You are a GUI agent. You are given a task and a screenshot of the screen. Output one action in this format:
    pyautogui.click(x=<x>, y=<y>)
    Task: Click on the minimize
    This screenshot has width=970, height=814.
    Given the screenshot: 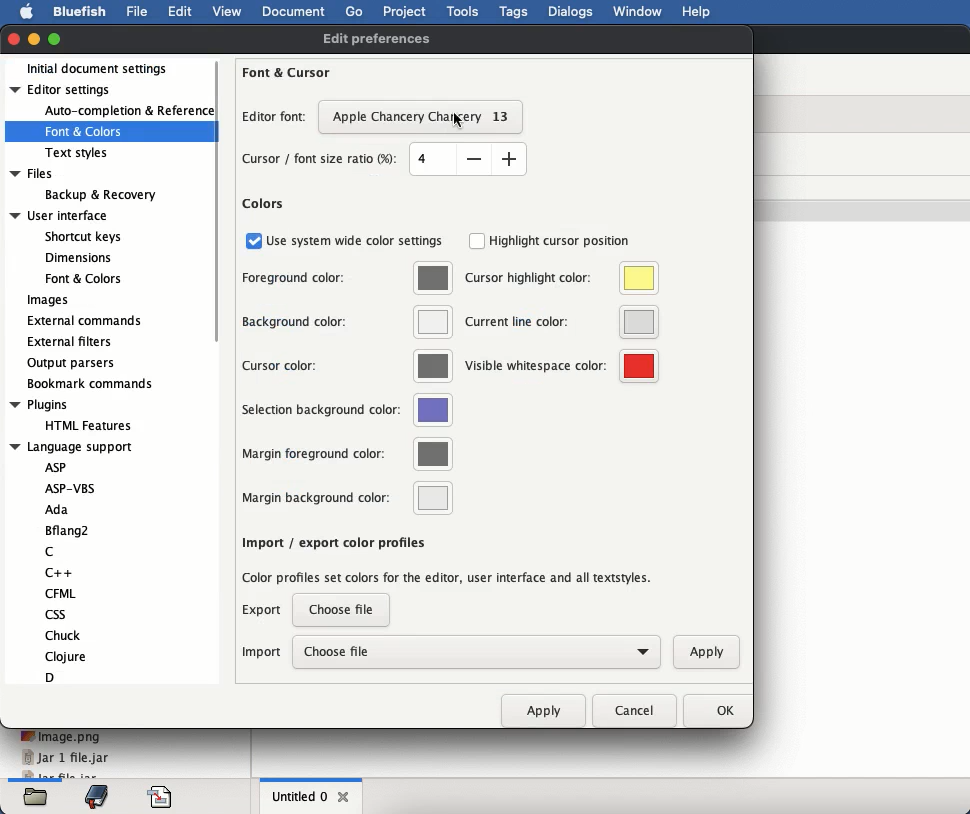 What is the action you would take?
    pyautogui.click(x=34, y=39)
    